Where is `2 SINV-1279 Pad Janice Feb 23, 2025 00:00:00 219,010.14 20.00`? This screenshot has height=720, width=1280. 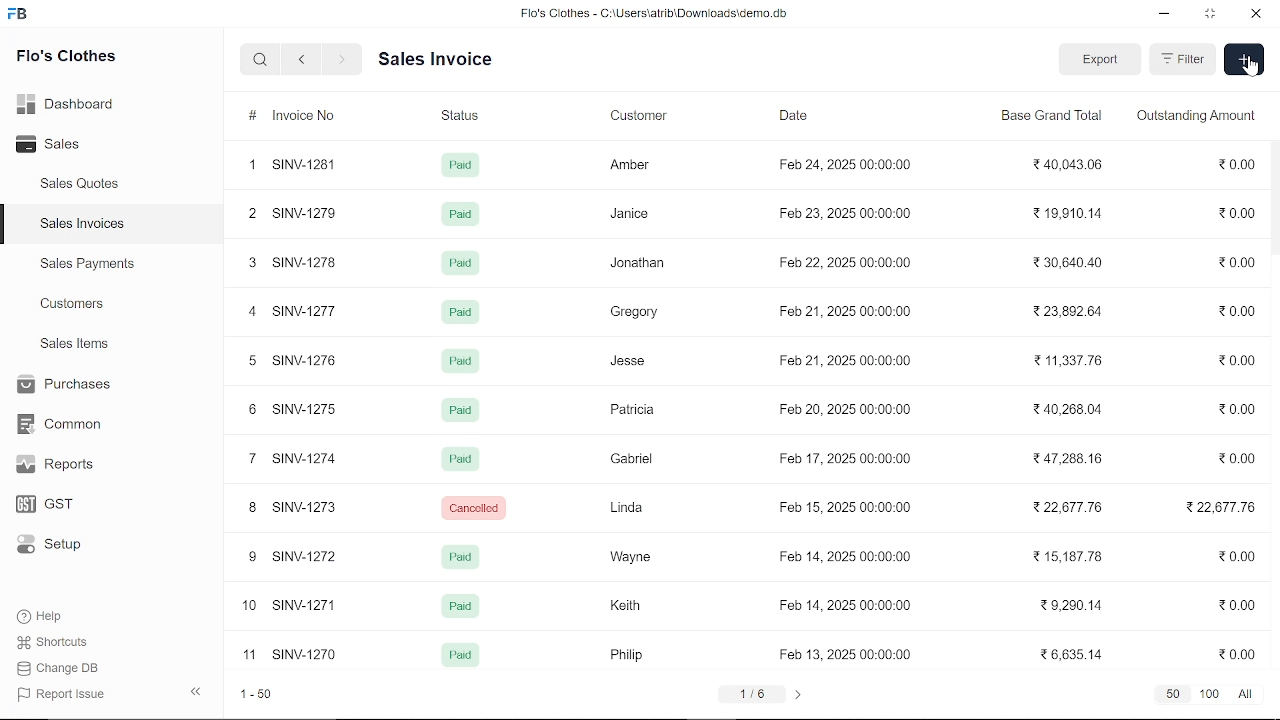
2 SINV-1279 Pad Janice Feb 23, 2025 00:00:00 219,010.14 20.00 is located at coordinates (750, 213).